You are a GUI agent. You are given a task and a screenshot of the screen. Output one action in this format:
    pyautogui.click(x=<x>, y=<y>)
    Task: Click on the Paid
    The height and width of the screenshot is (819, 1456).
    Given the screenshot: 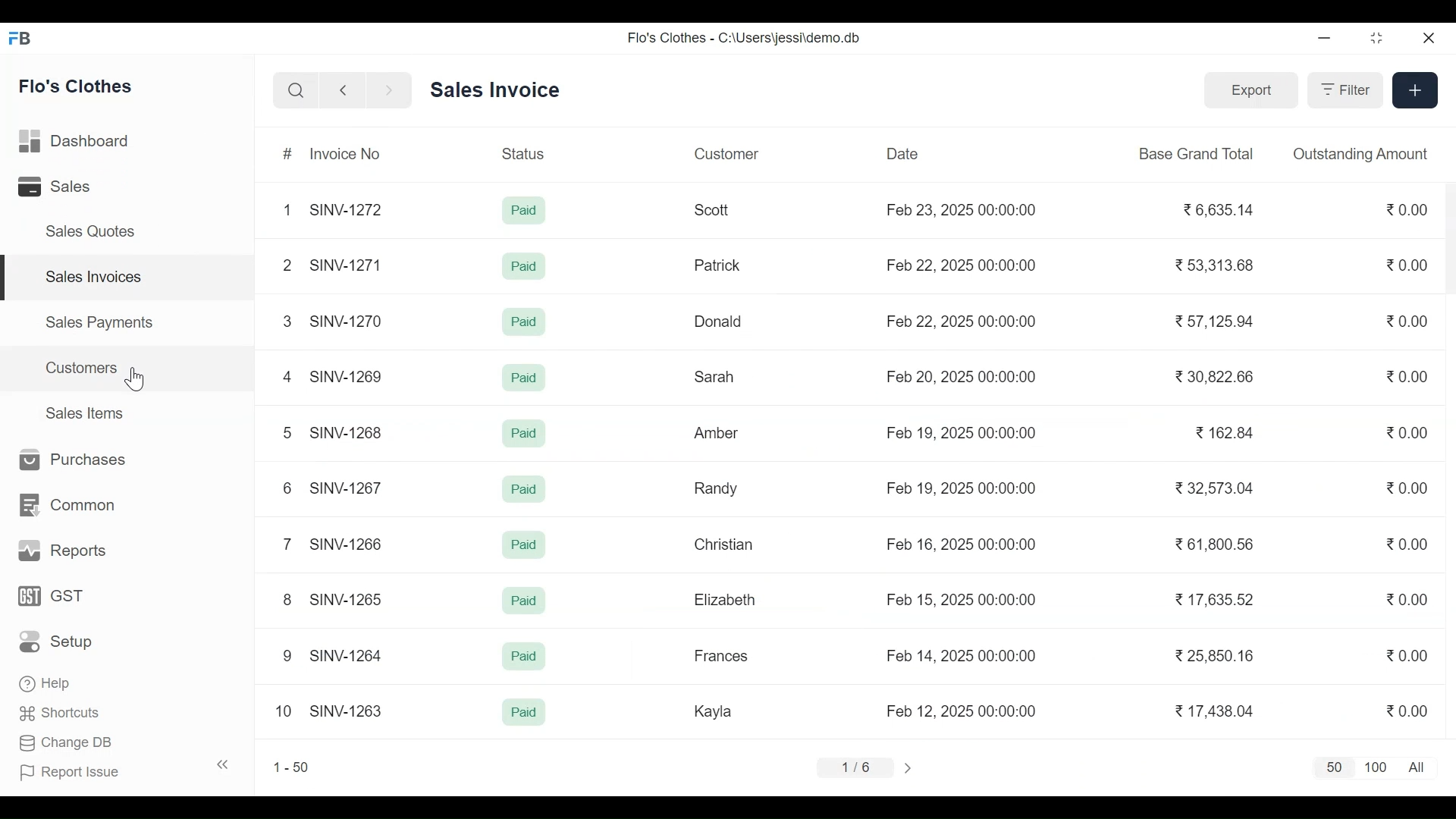 What is the action you would take?
    pyautogui.click(x=526, y=209)
    